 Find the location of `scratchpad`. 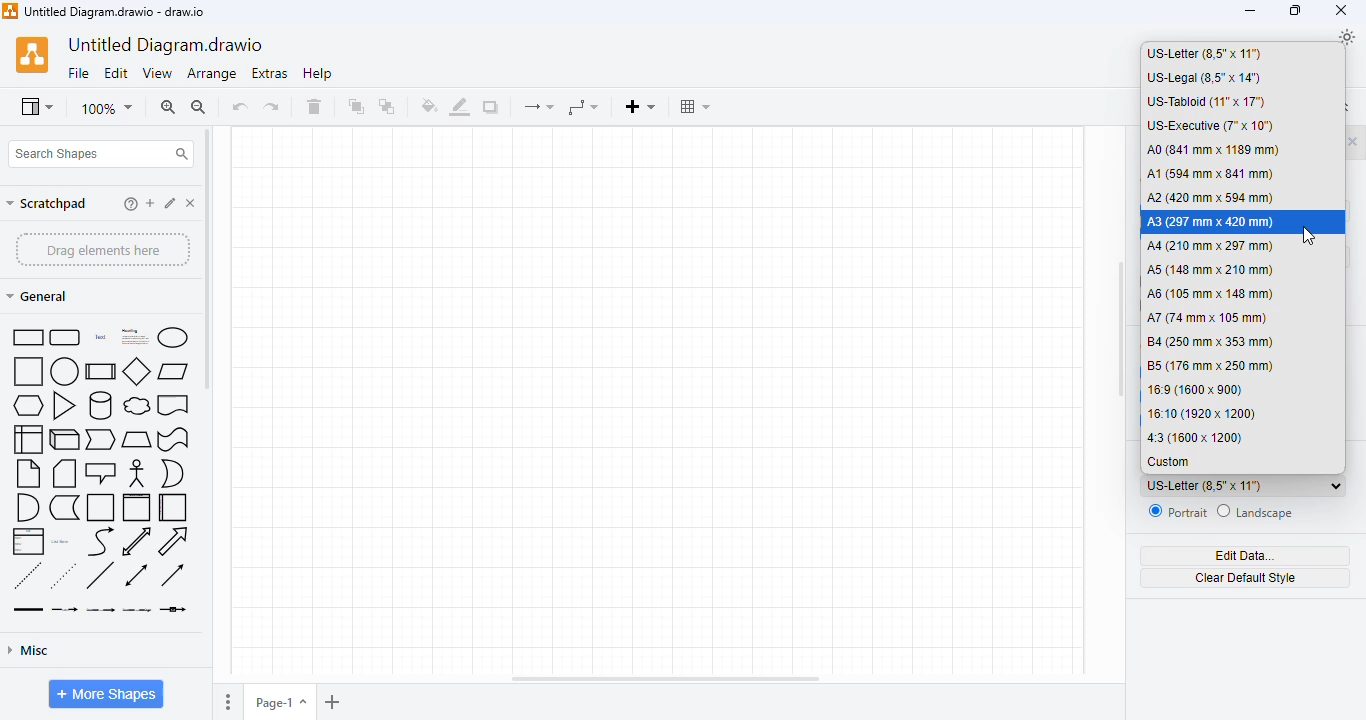

scratchpad is located at coordinates (47, 204).